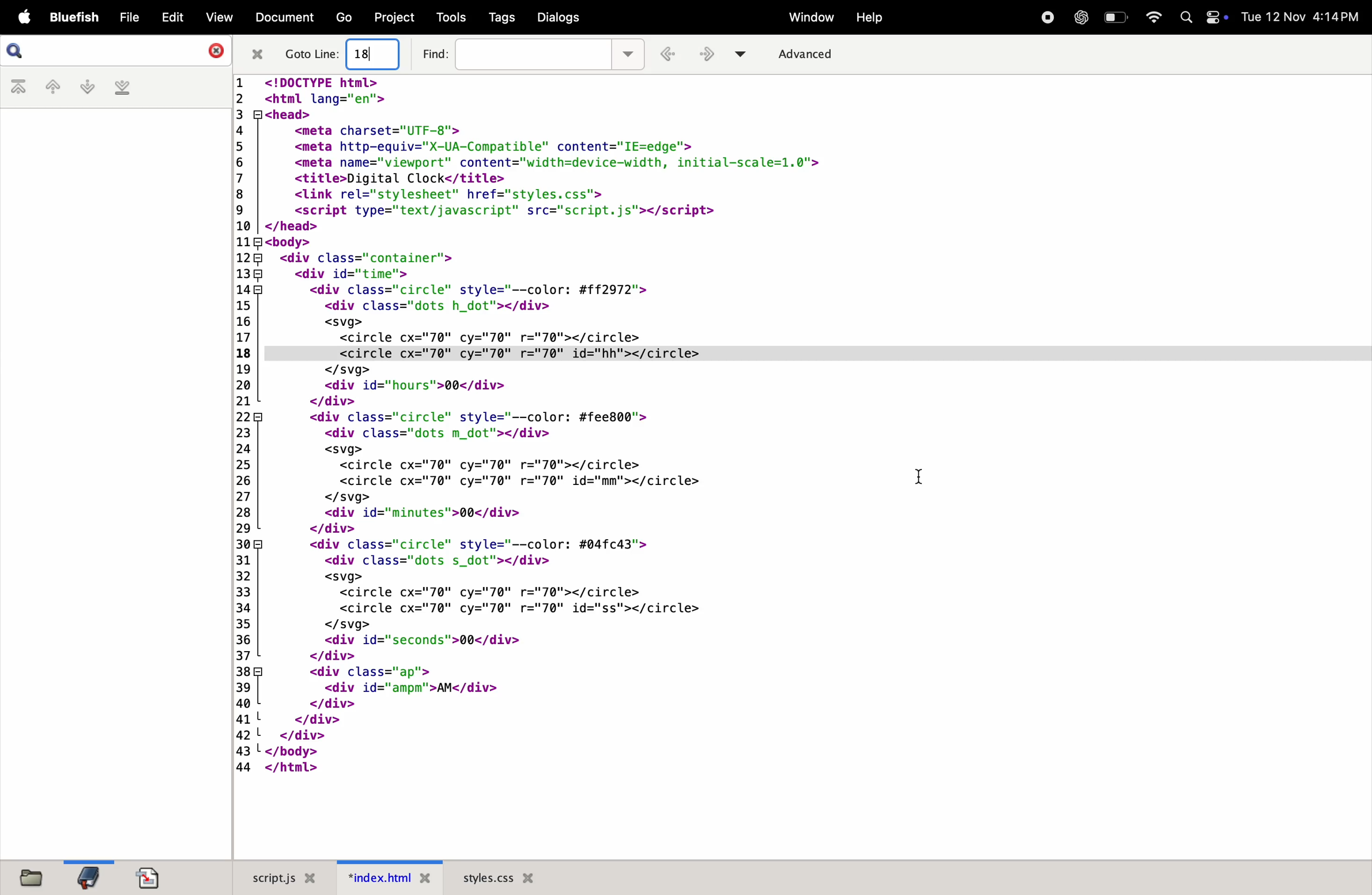  Describe the element at coordinates (168, 17) in the screenshot. I see `edit` at that location.